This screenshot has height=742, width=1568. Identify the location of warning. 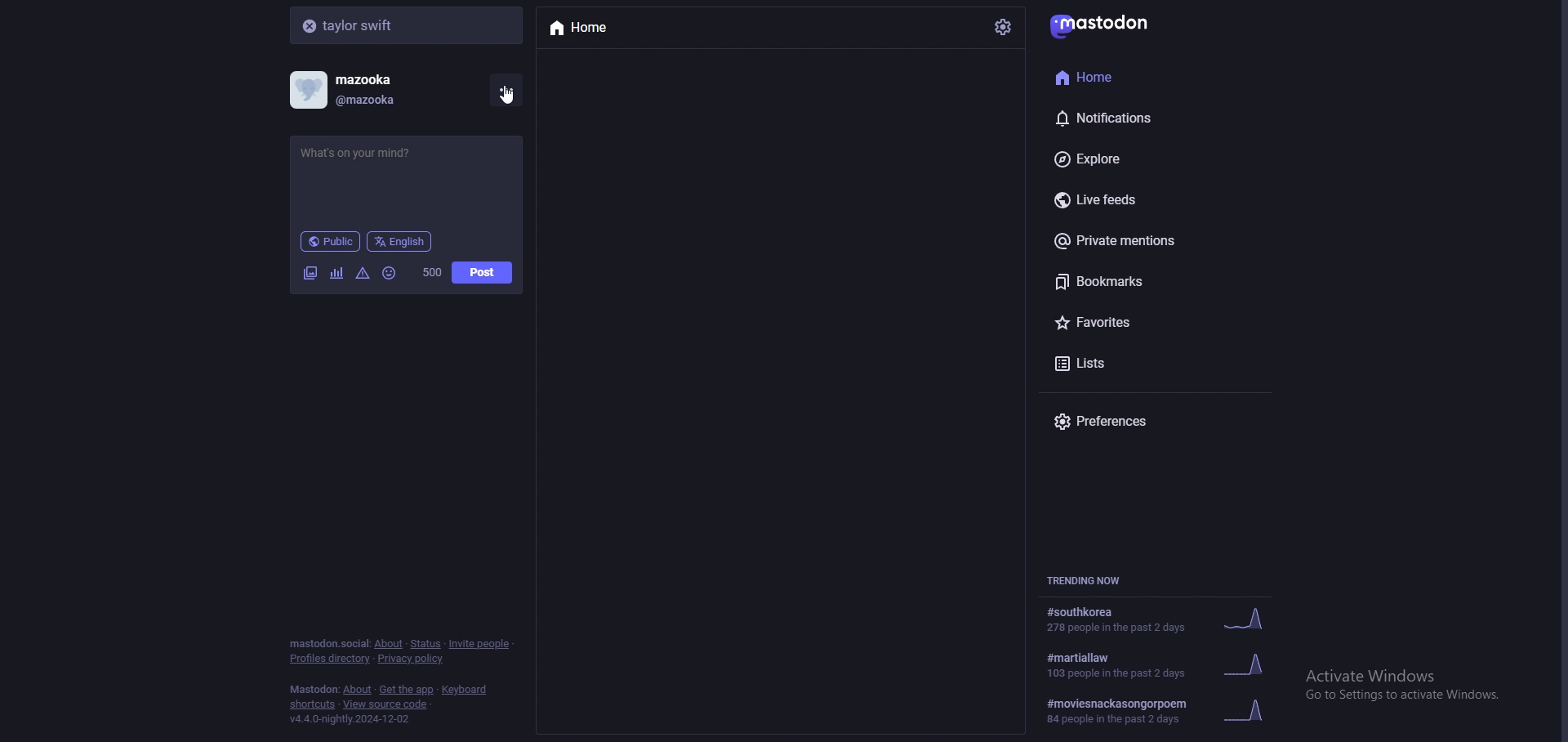
(363, 273).